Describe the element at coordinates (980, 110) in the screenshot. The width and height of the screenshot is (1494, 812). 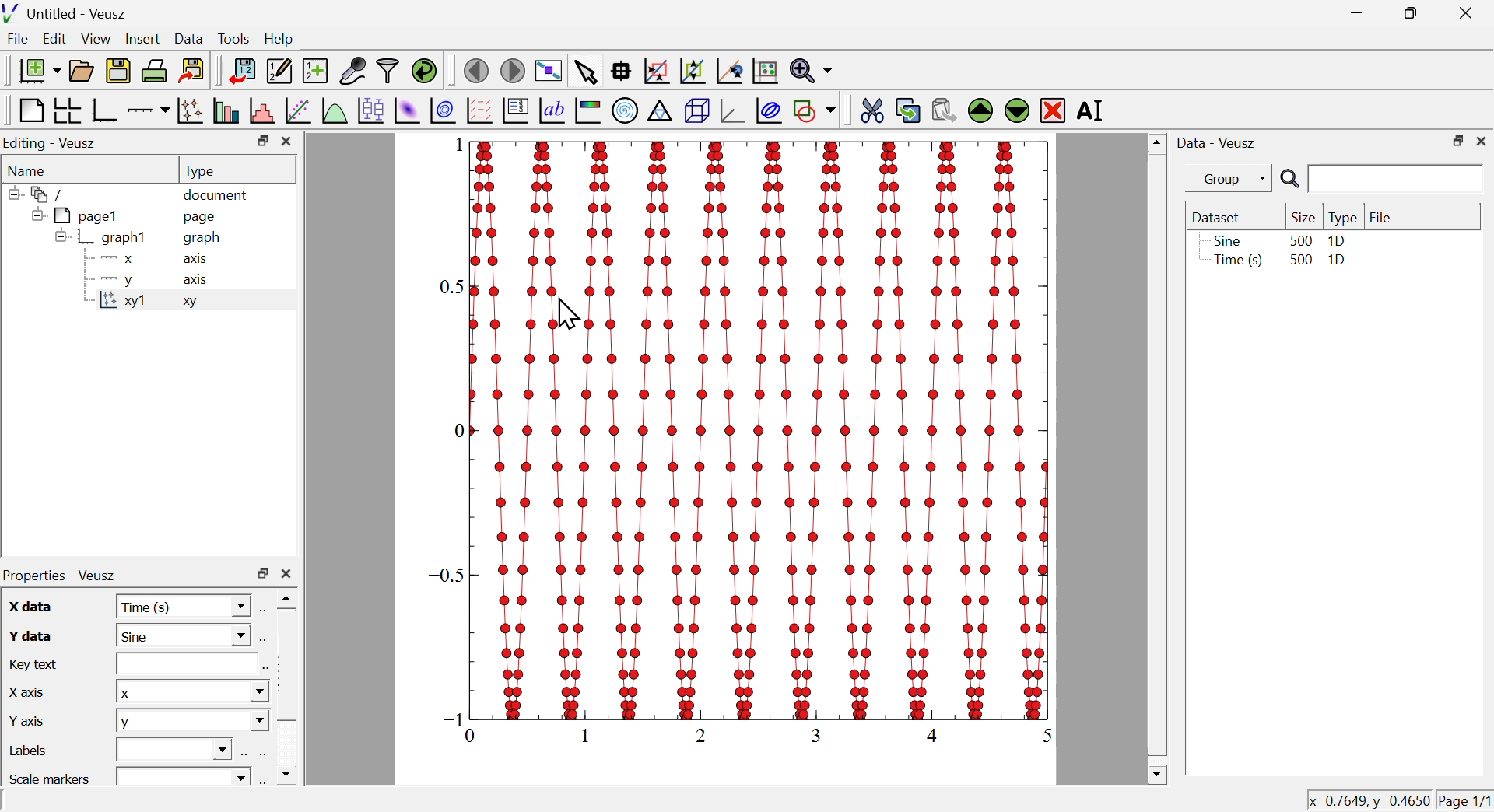
I see `move the selected widget up` at that location.